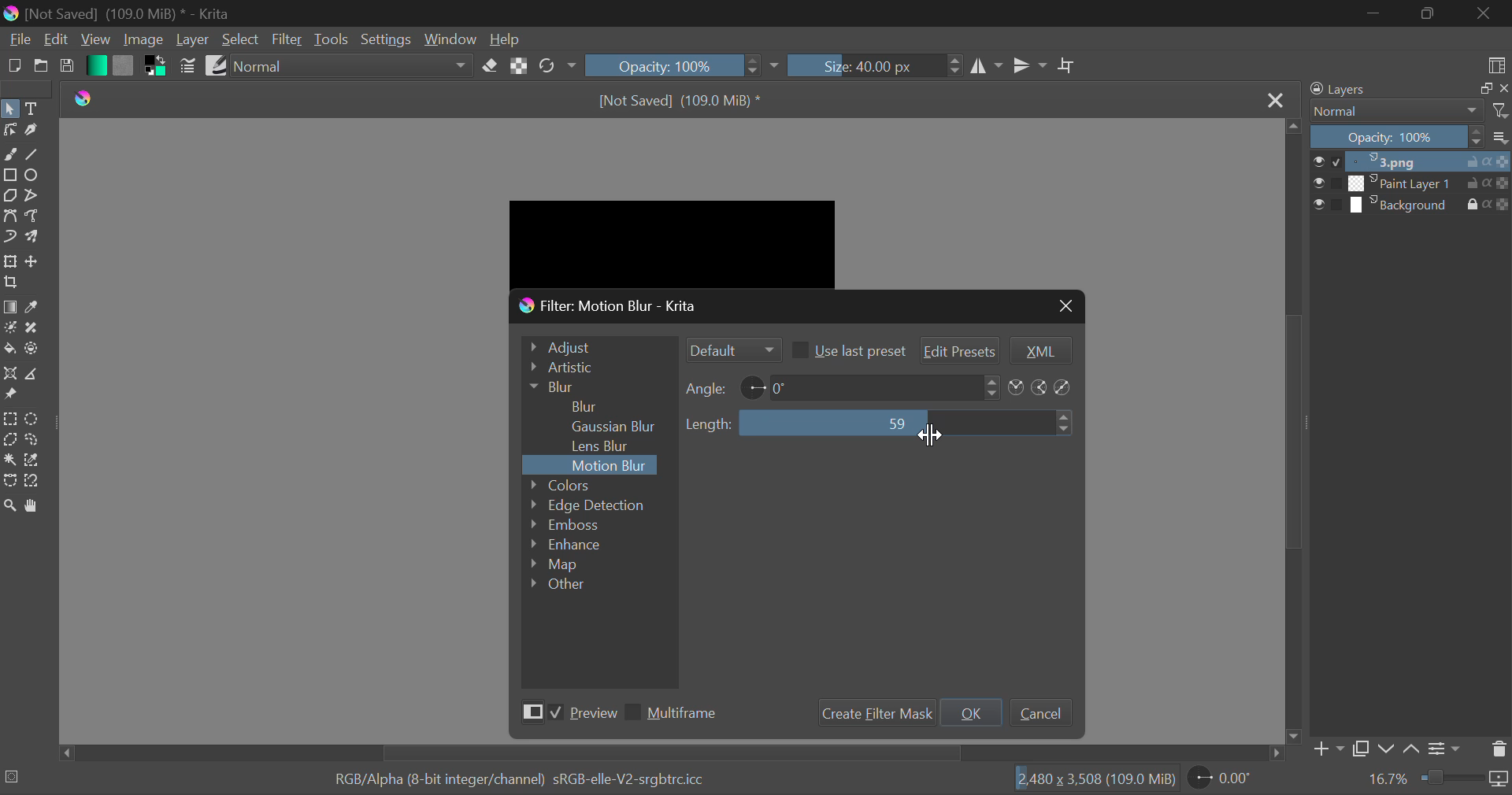 The image size is (1512, 795). Describe the element at coordinates (620, 425) in the screenshot. I see `Gaussian Blur` at that location.